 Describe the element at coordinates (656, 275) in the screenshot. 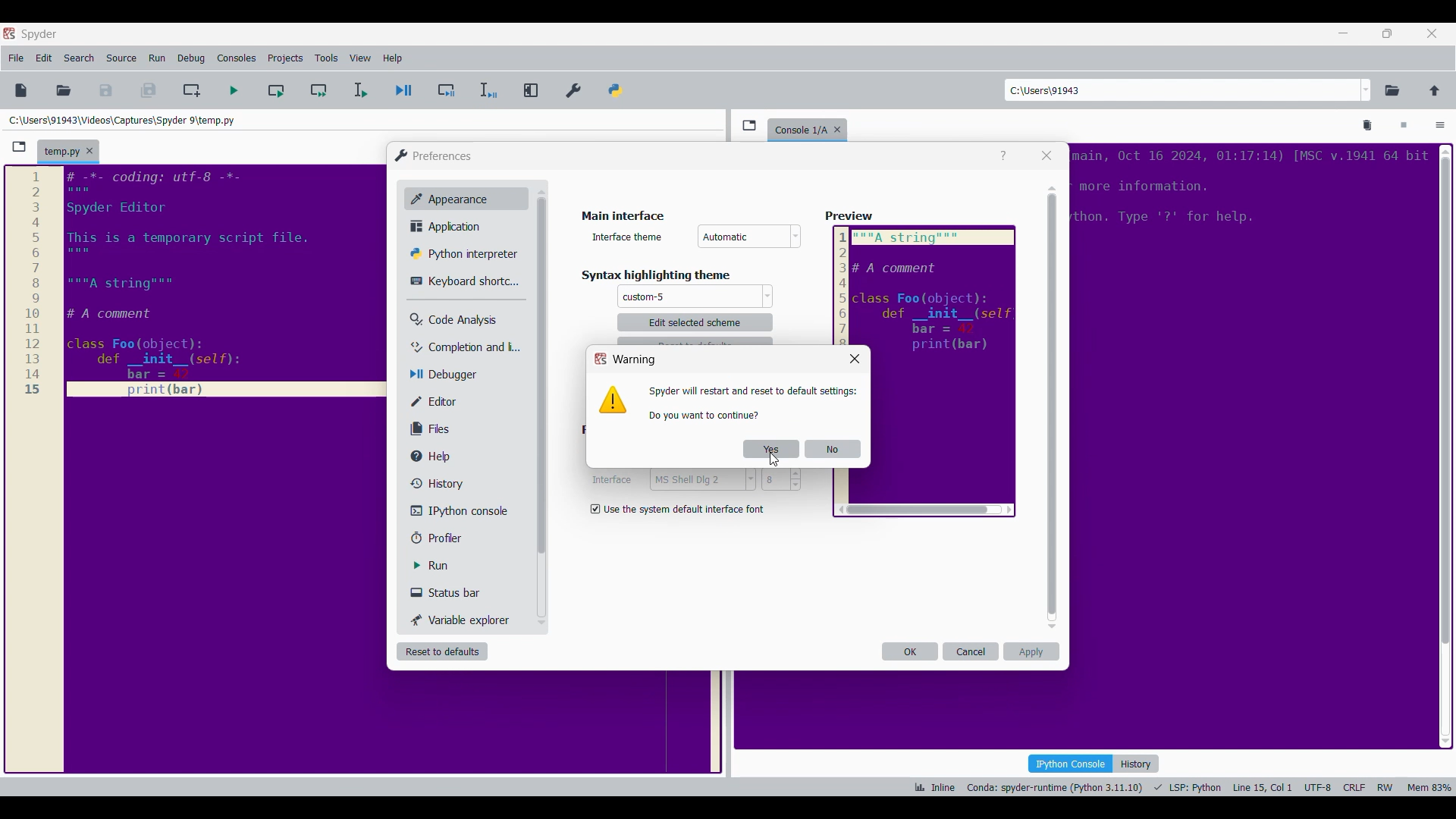

I see `Section title` at that location.